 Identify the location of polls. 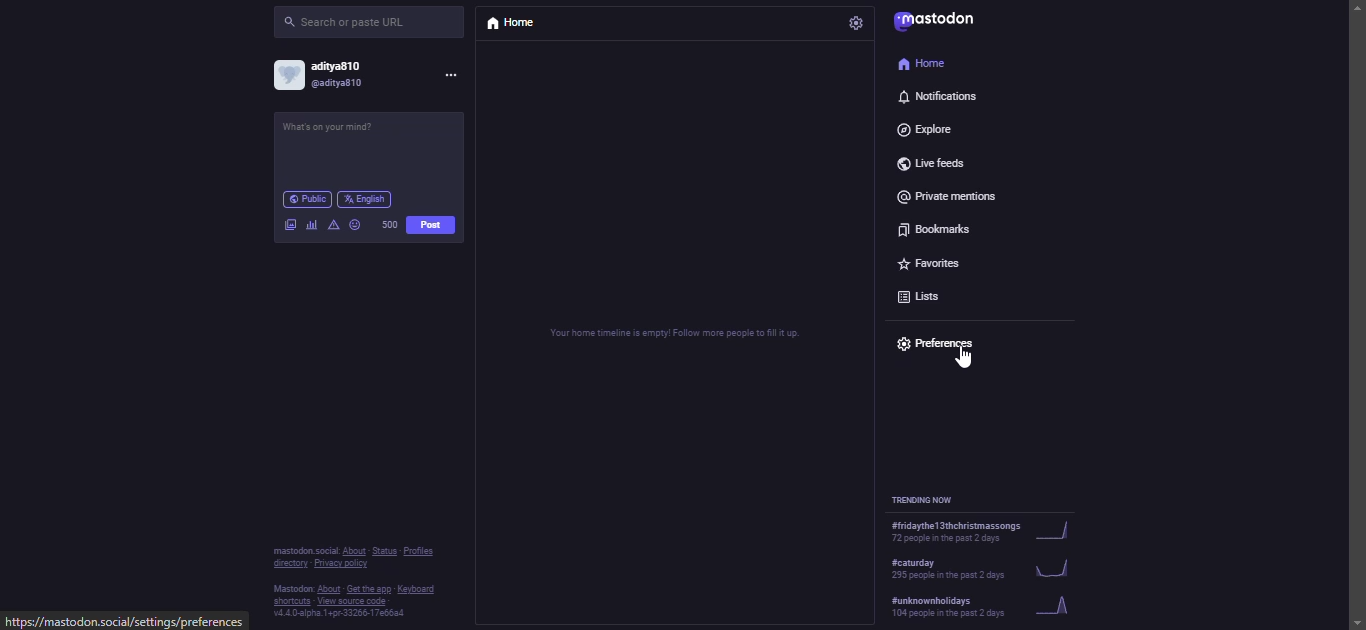
(311, 225).